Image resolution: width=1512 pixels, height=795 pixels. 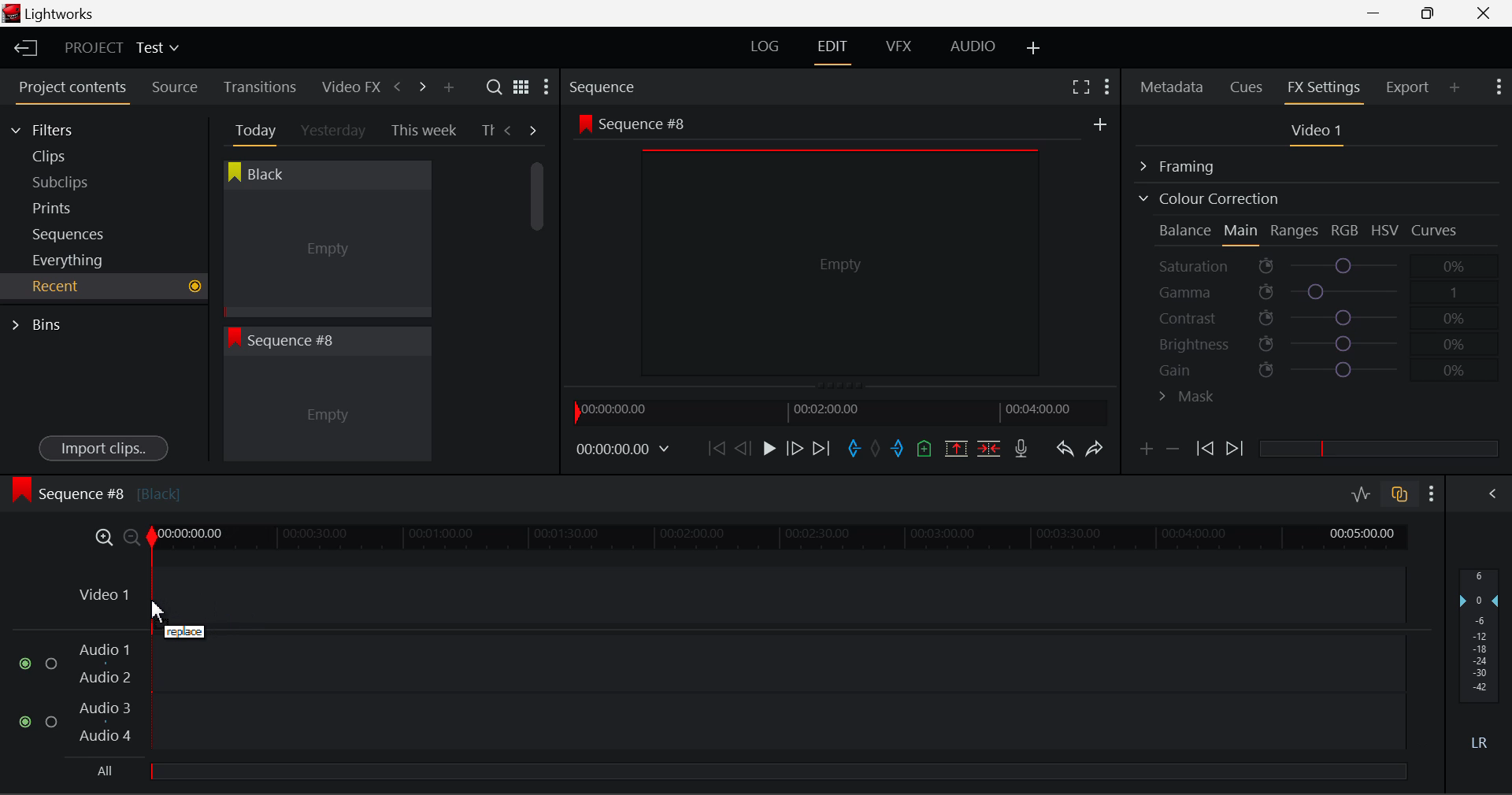 I want to click on Show Settings, so click(x=1106, y=84).